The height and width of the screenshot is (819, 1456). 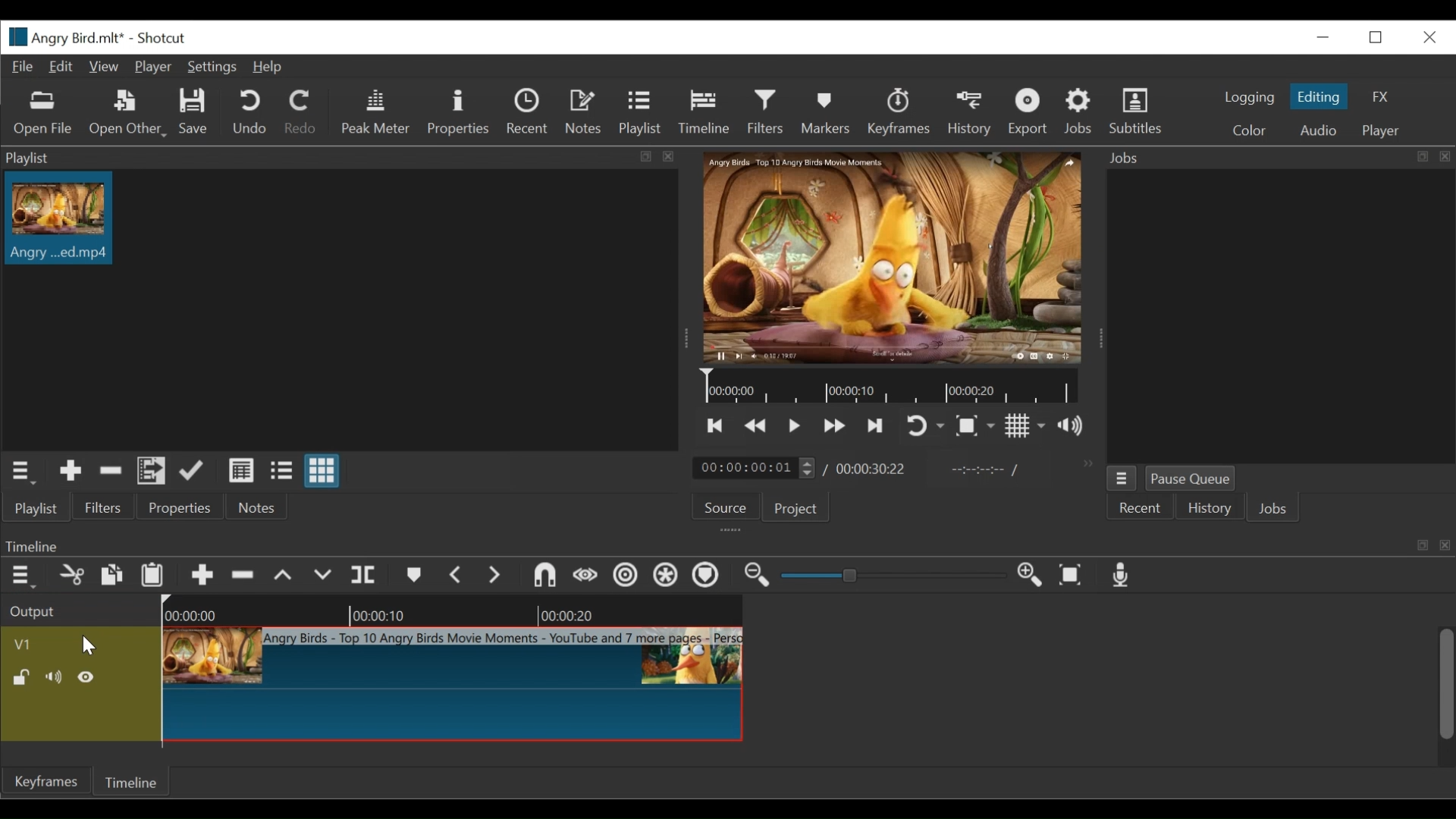 I want to click on Playlist Panel, so click(x=340, y=158).